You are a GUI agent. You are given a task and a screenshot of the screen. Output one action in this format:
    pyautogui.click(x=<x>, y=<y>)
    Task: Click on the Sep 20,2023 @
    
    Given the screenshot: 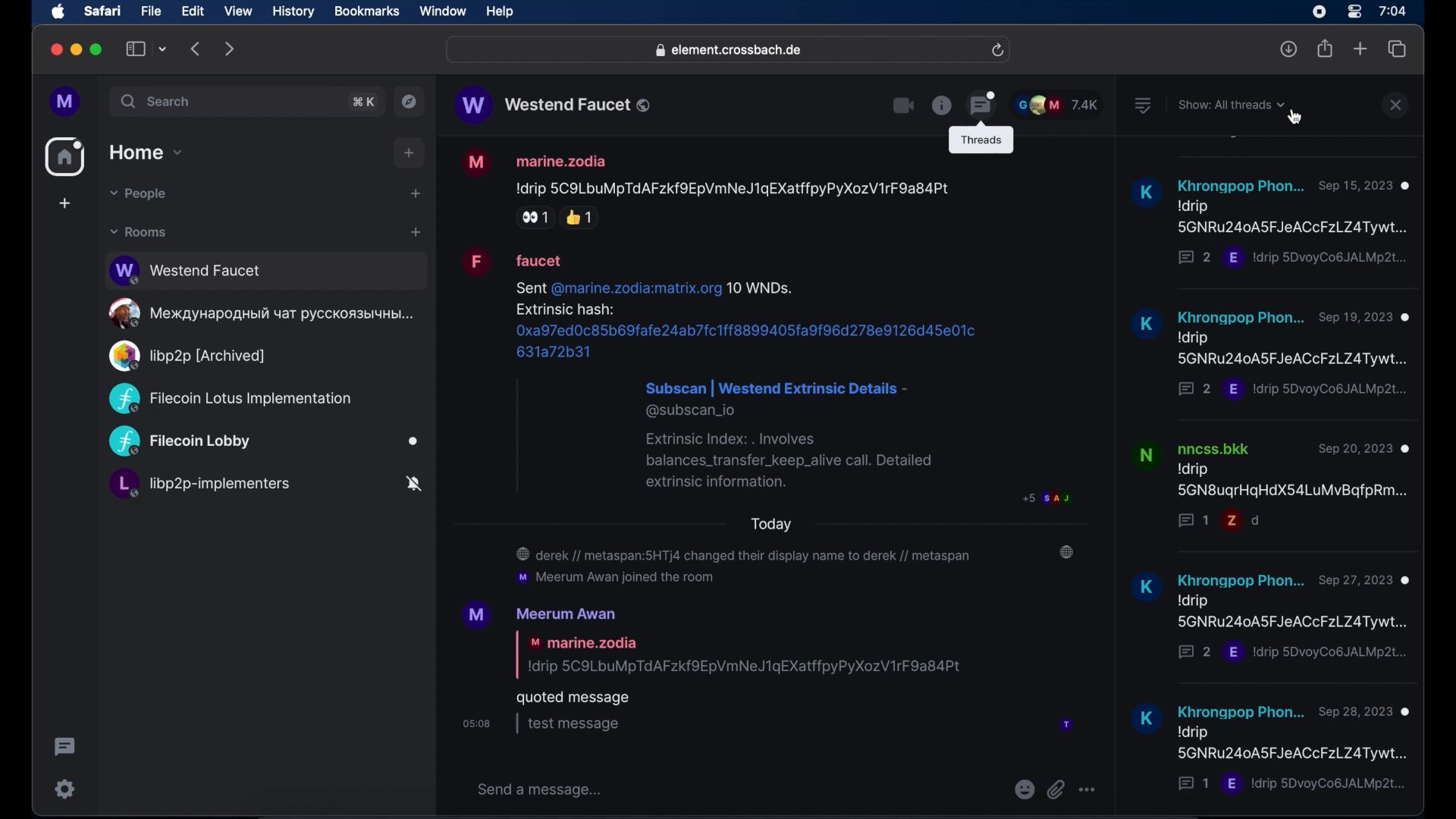 What is the action you would take?
    pyautogui.click(x=1366, y=448)
    